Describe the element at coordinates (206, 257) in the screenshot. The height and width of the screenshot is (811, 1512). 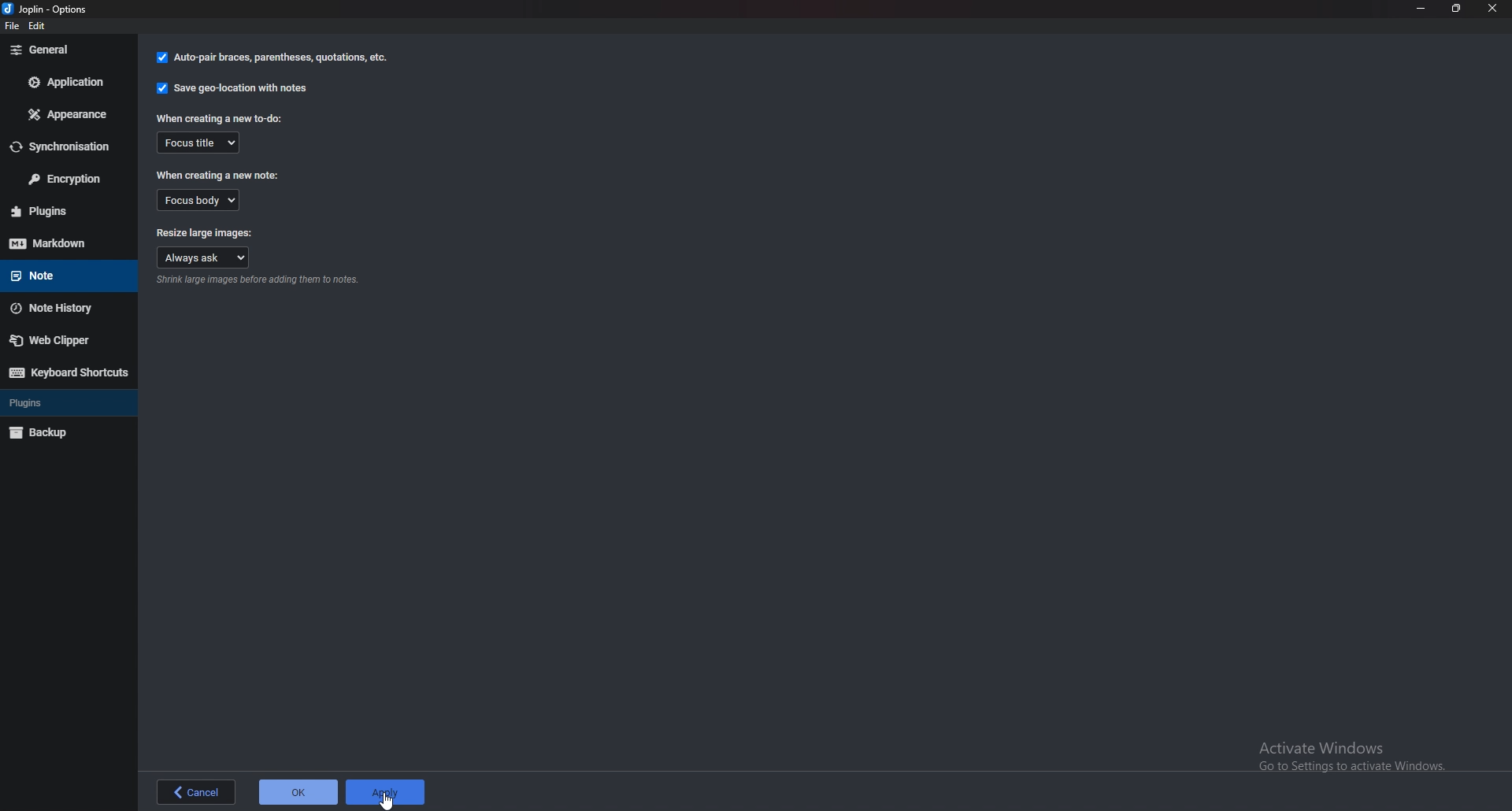
I see `Always ask` at that location.